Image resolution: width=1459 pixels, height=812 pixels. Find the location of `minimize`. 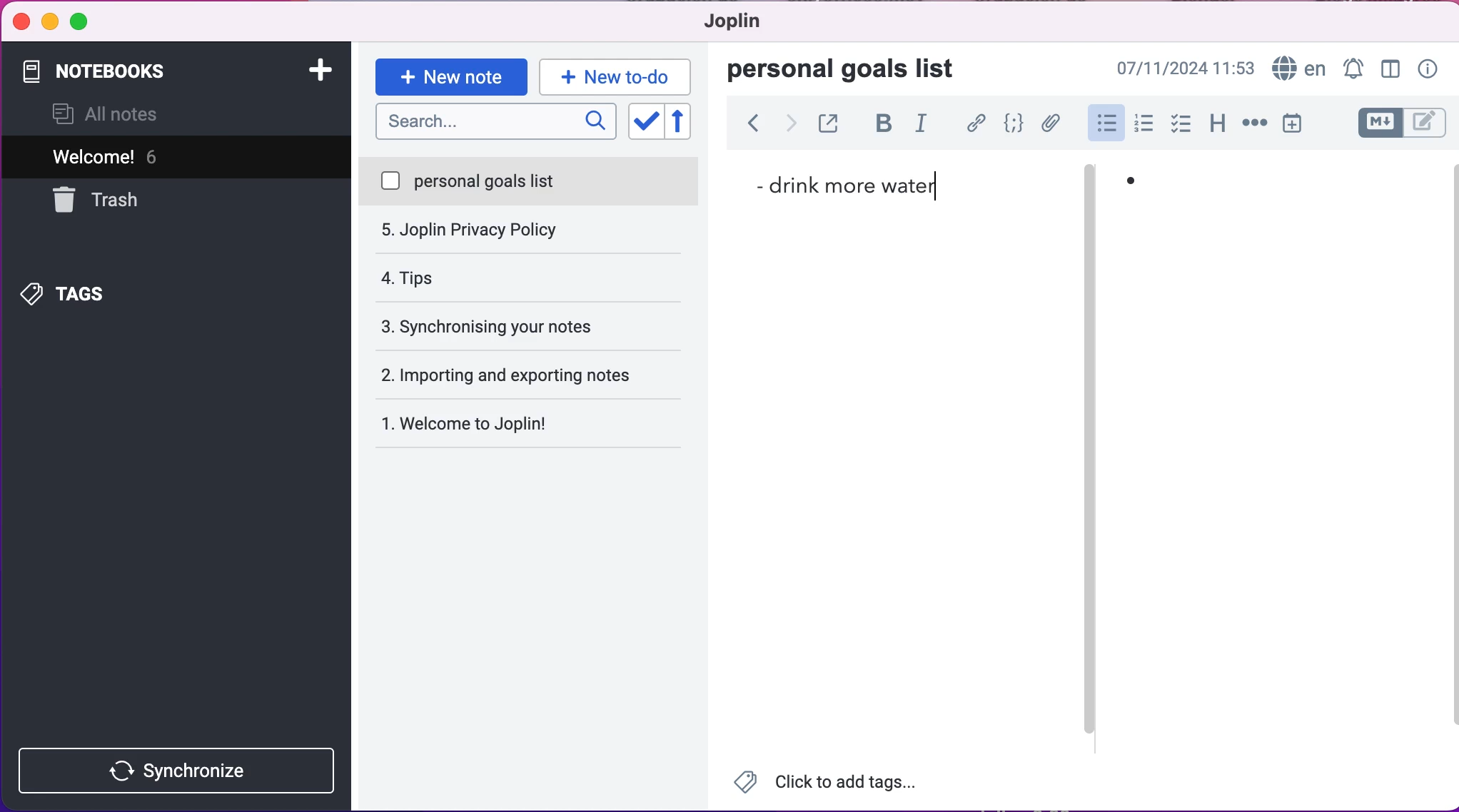

minimize is located at coordinates (49, 22).